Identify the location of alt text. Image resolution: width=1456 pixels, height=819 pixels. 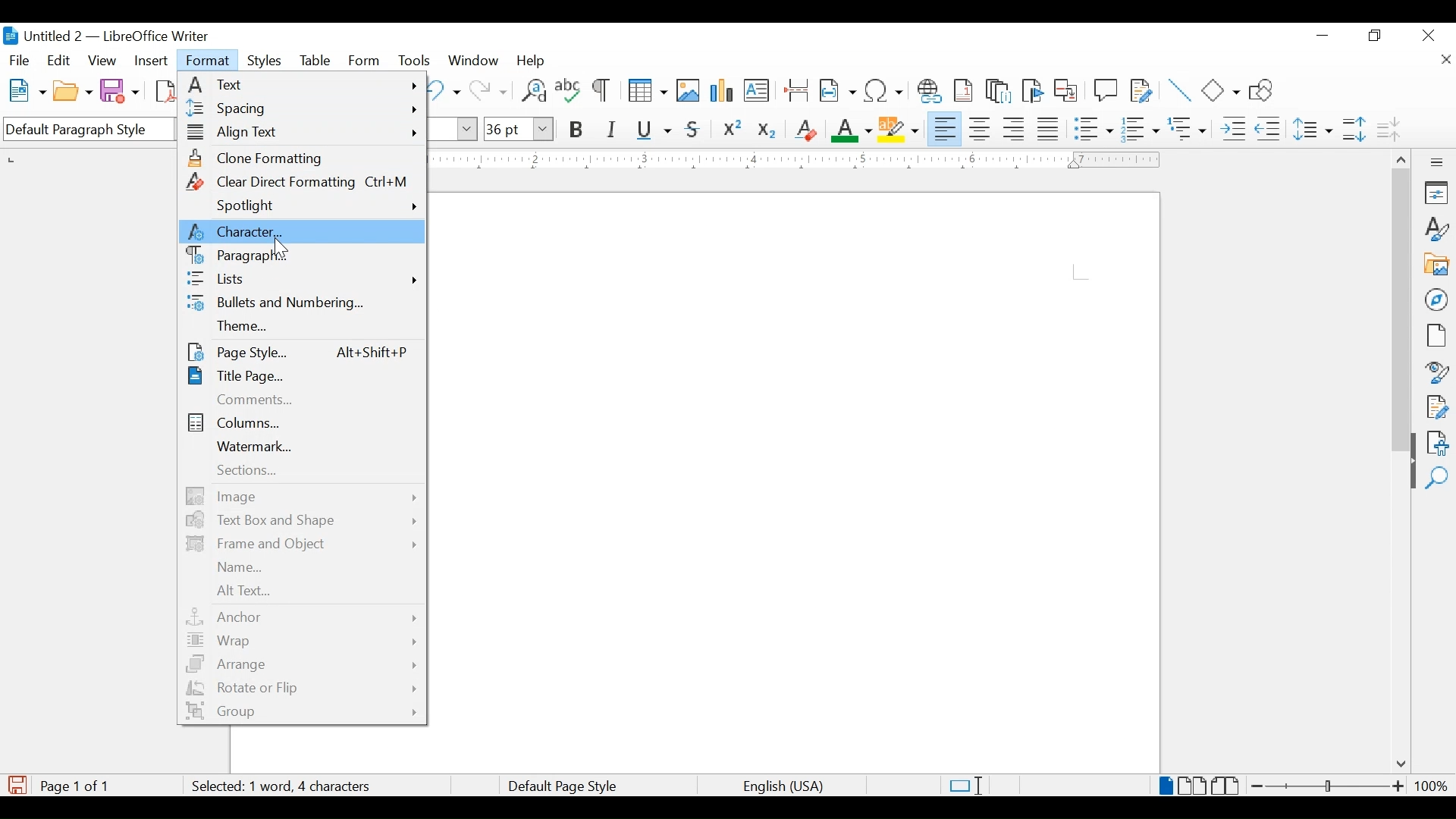
(243, 591).